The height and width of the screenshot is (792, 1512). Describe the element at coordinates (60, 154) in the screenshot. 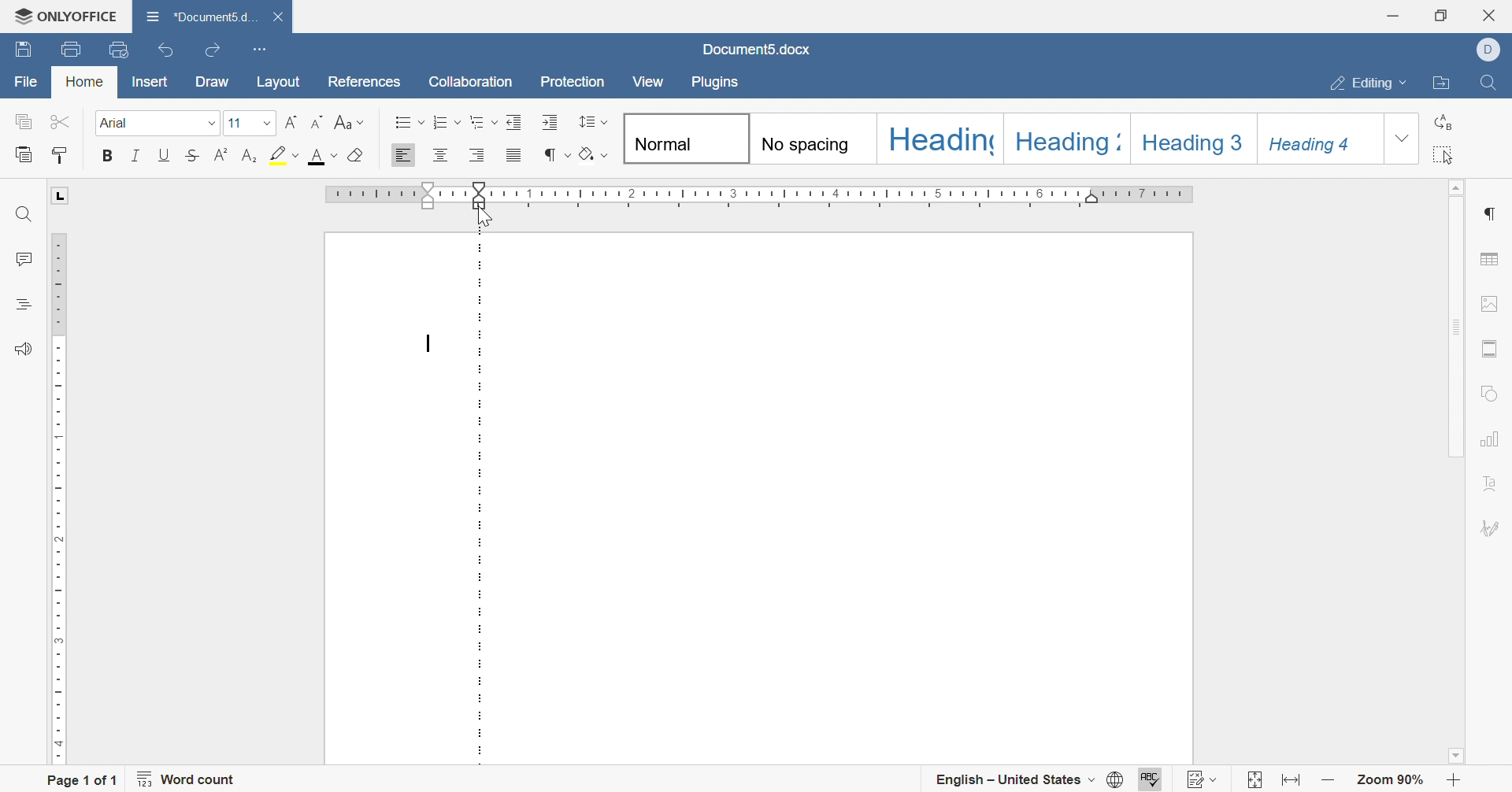

I see `copy style` at that location.